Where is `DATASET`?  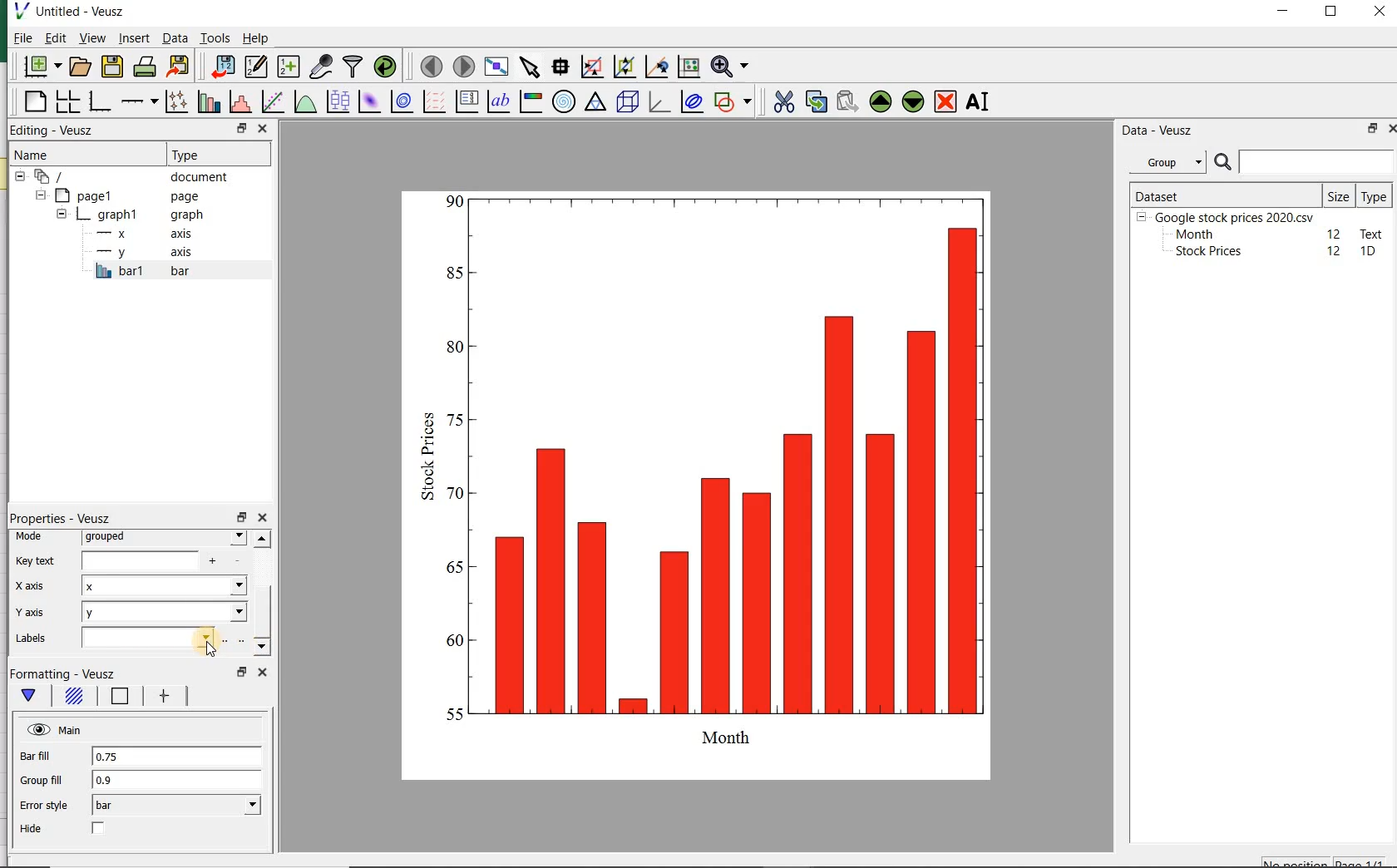 DATASET is located at coordinates (1224, 193).